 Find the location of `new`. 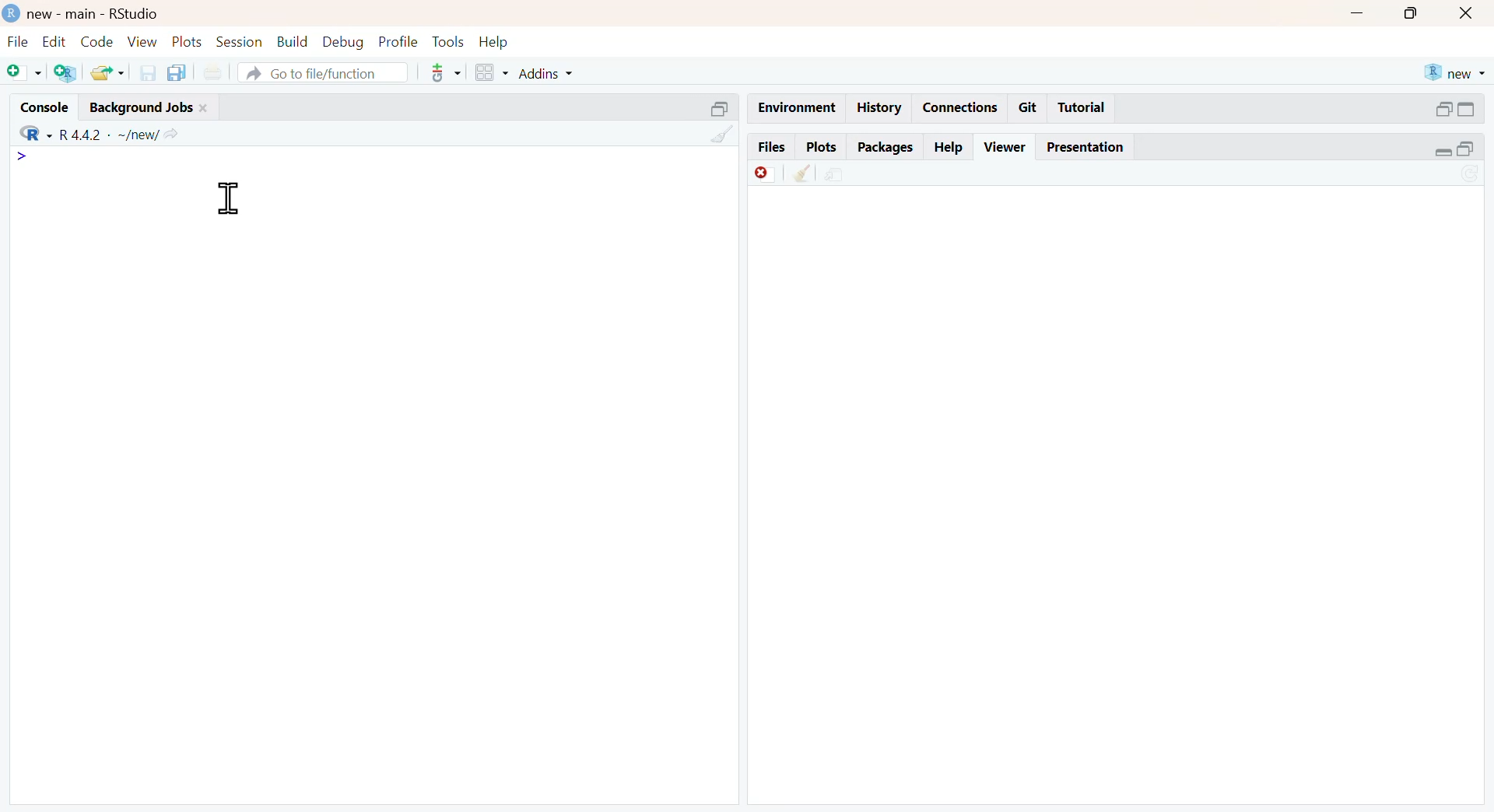

new is located at coordinates (1456, 72).